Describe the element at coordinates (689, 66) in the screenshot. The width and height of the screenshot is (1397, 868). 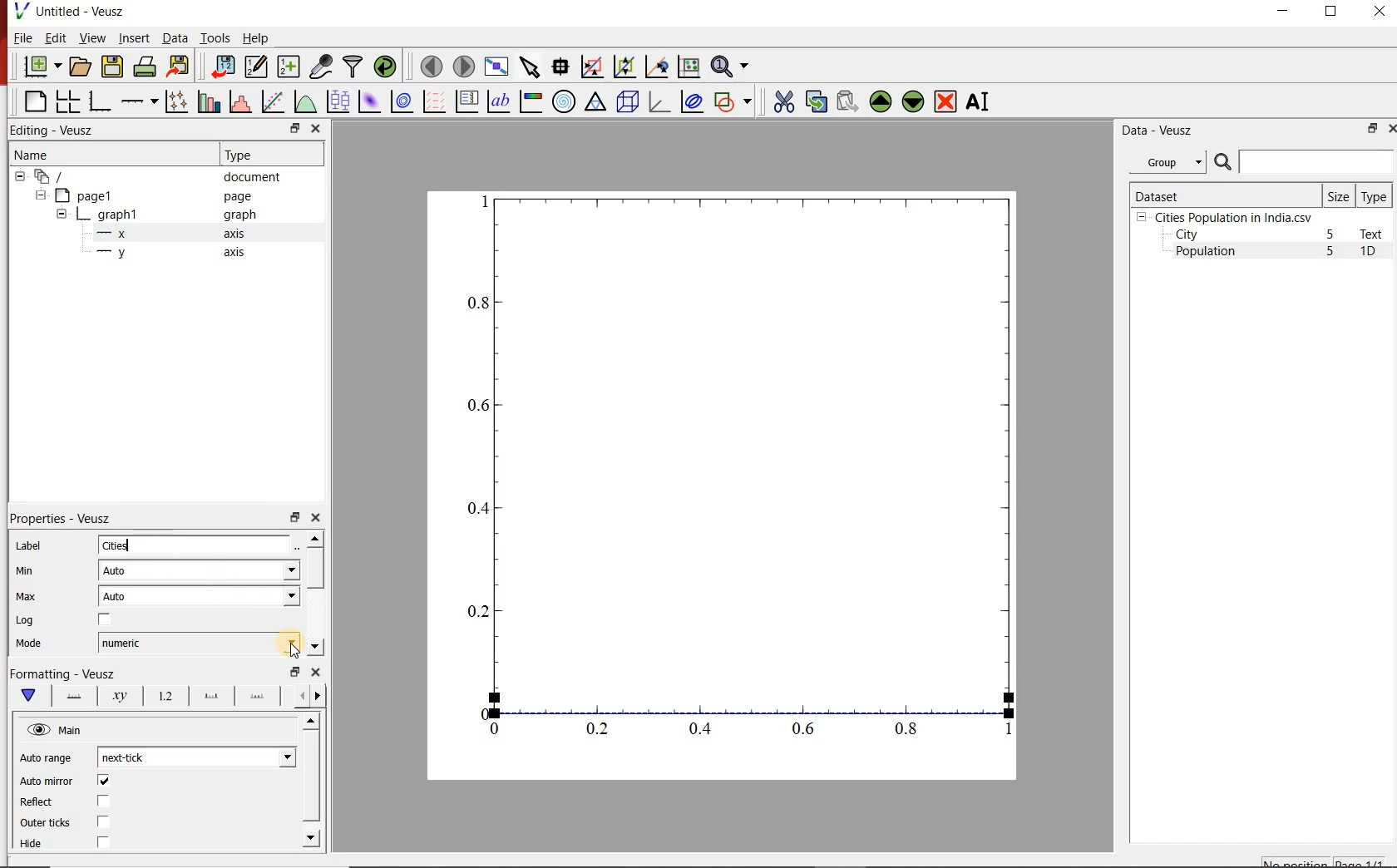
I see `click to reset graph axes` at that location.